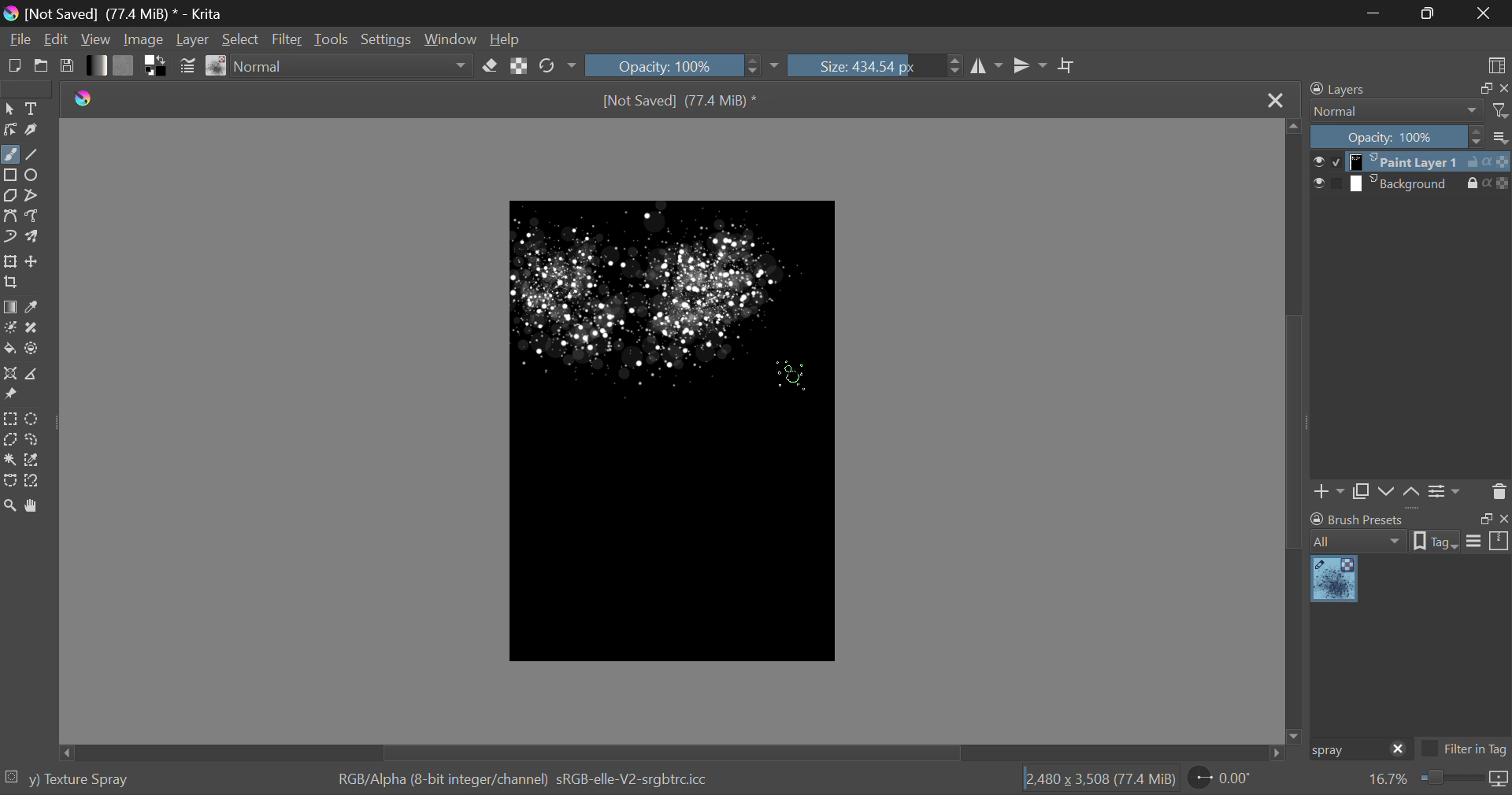 This screenshot has height=795, width=1512. What do you see at coordinates (1327, 184) in the screenshot?
I see `checkbox` at bounding box center [1327, 184].